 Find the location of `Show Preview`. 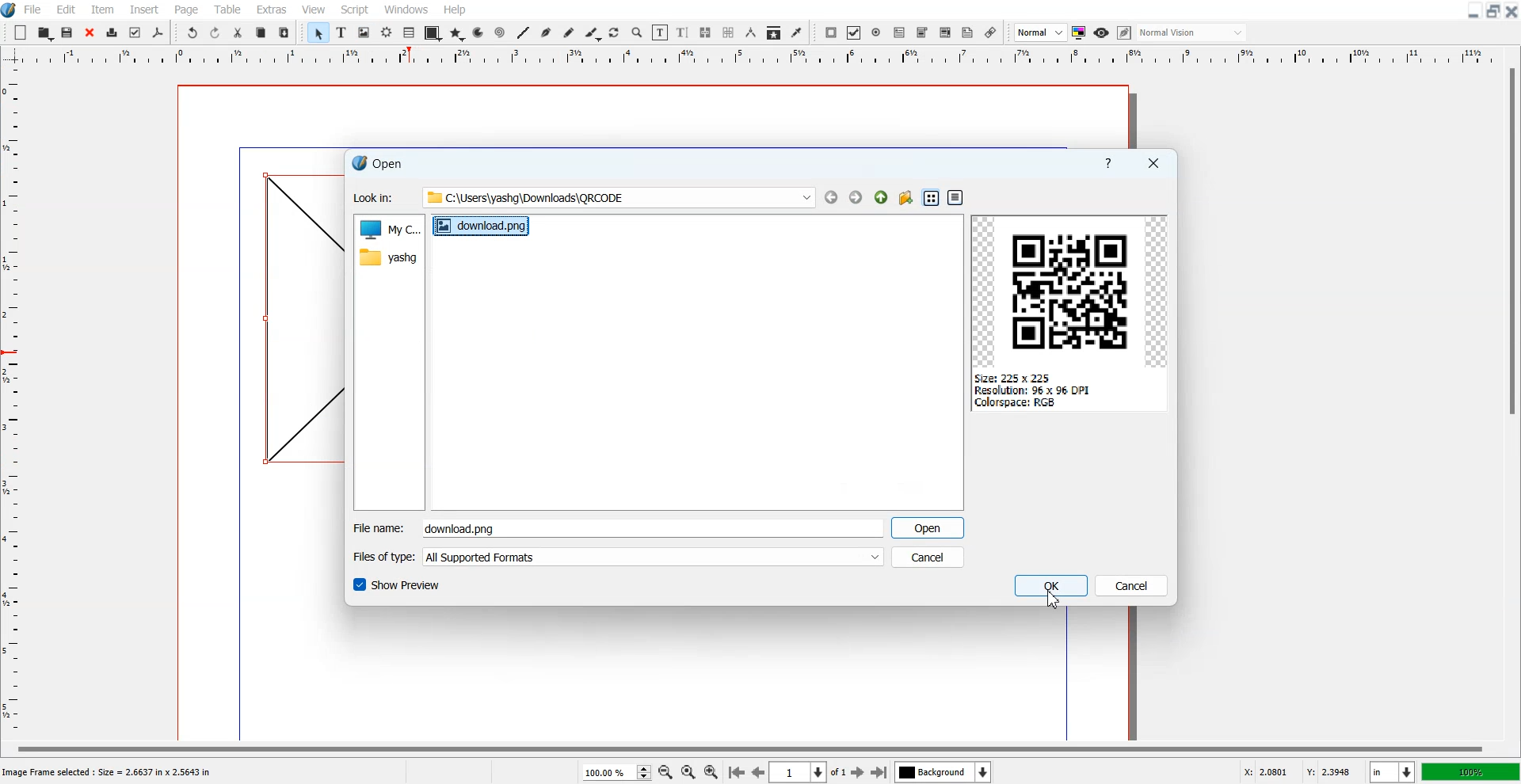

Show Preview is located at coordinates (396, 584).